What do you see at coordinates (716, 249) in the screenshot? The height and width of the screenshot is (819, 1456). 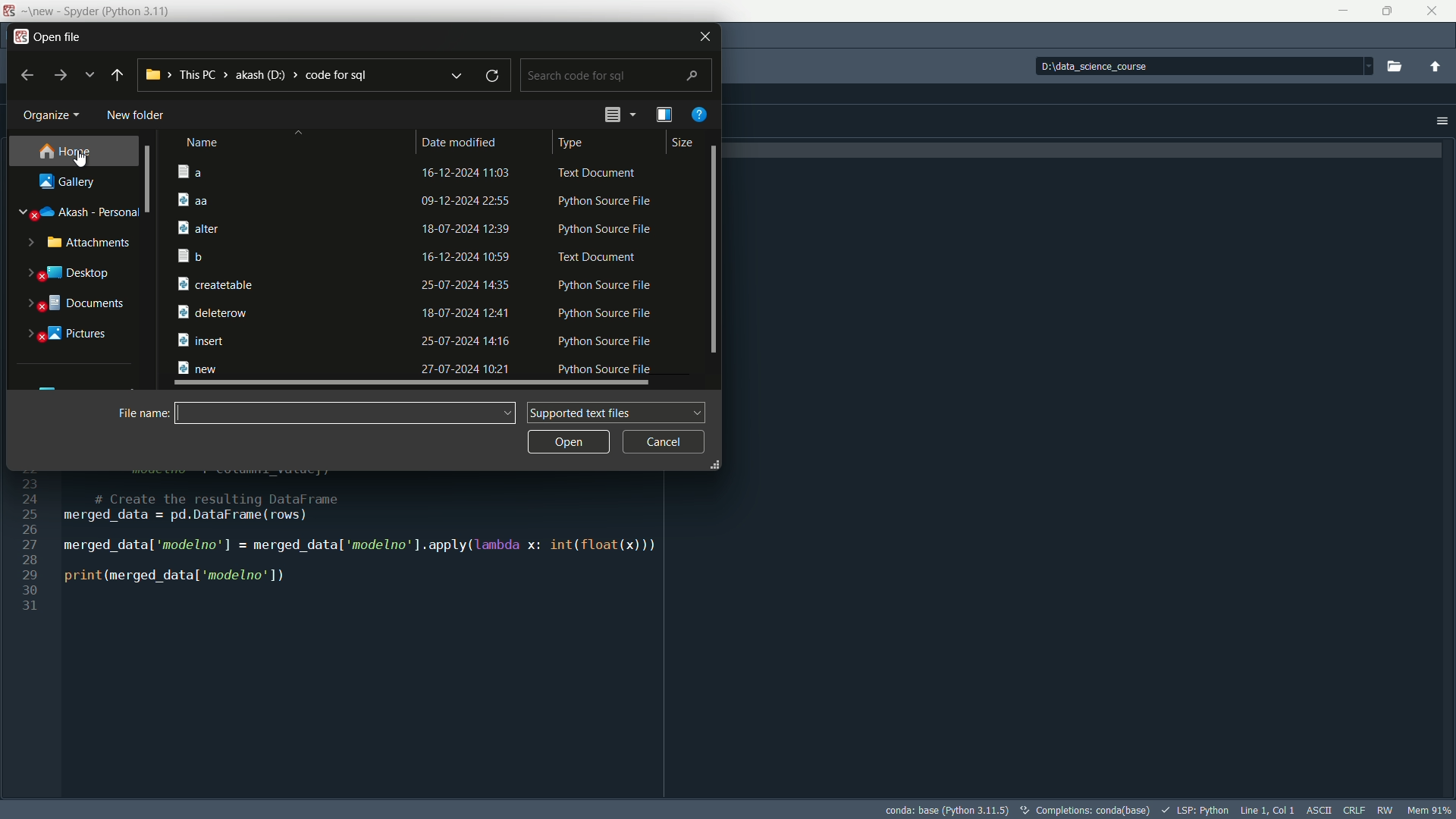 I see `scroll bar` at bounding box center [716, 249].